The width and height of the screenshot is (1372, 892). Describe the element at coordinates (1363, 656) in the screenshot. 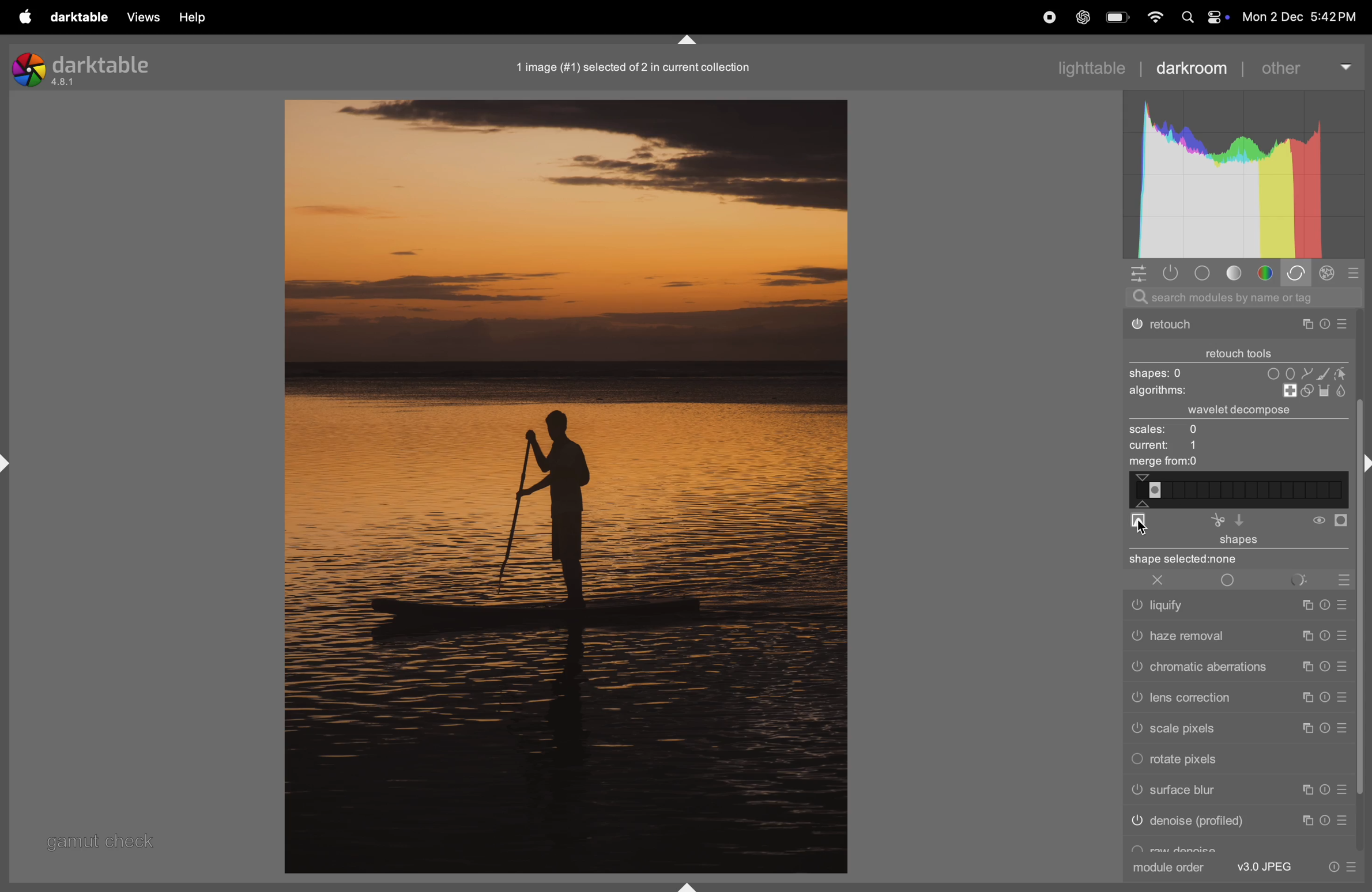

I see `Scrollbar` at that location.